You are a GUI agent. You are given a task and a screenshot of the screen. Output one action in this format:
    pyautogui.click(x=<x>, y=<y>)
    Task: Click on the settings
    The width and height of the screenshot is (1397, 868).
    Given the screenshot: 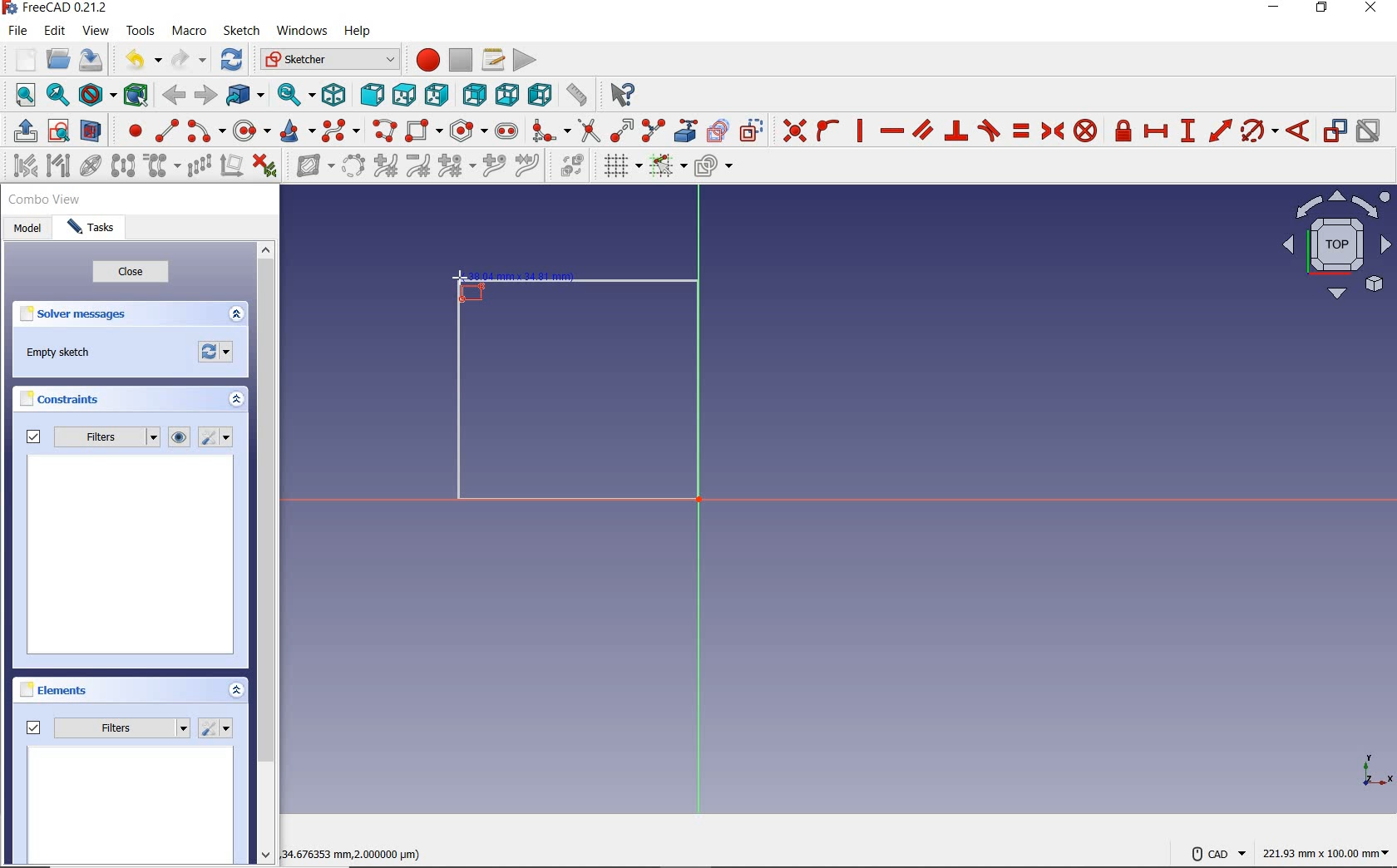 What is the action you would take?
    pyautogui.click(x=217, y=728)
    